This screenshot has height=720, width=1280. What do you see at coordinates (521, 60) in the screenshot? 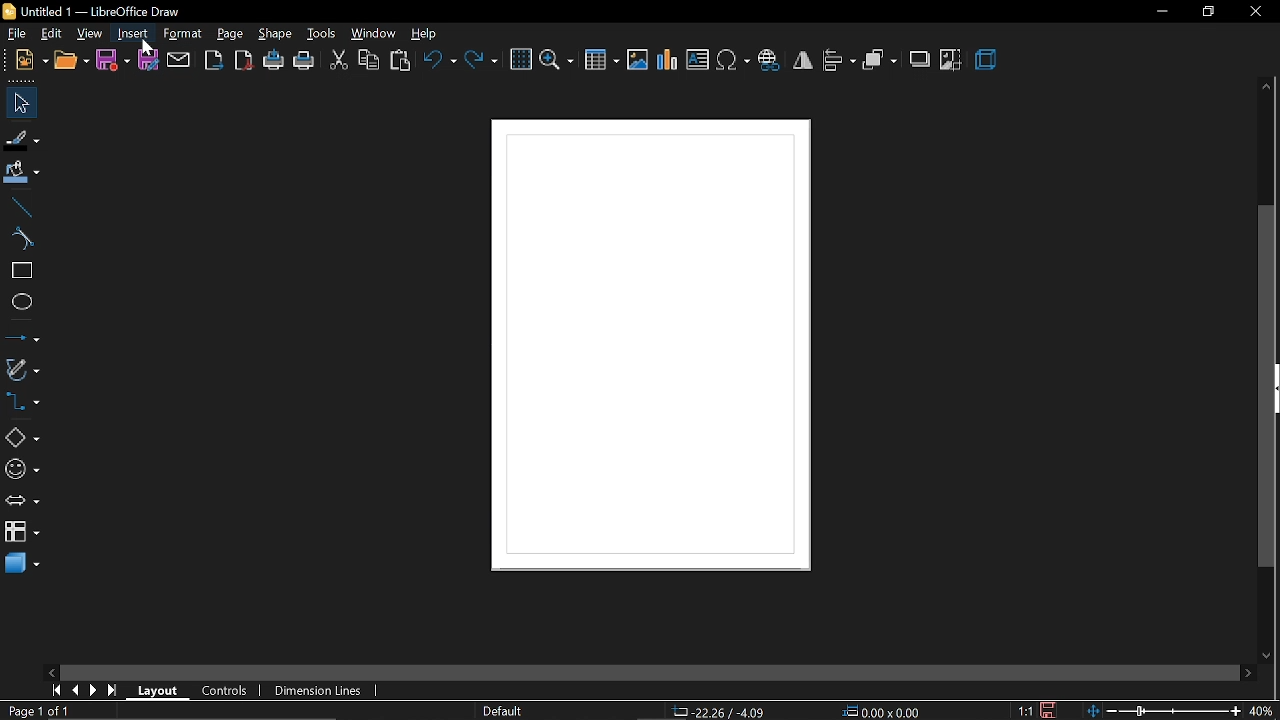
I see `grid` at bounding box center [521, 60].